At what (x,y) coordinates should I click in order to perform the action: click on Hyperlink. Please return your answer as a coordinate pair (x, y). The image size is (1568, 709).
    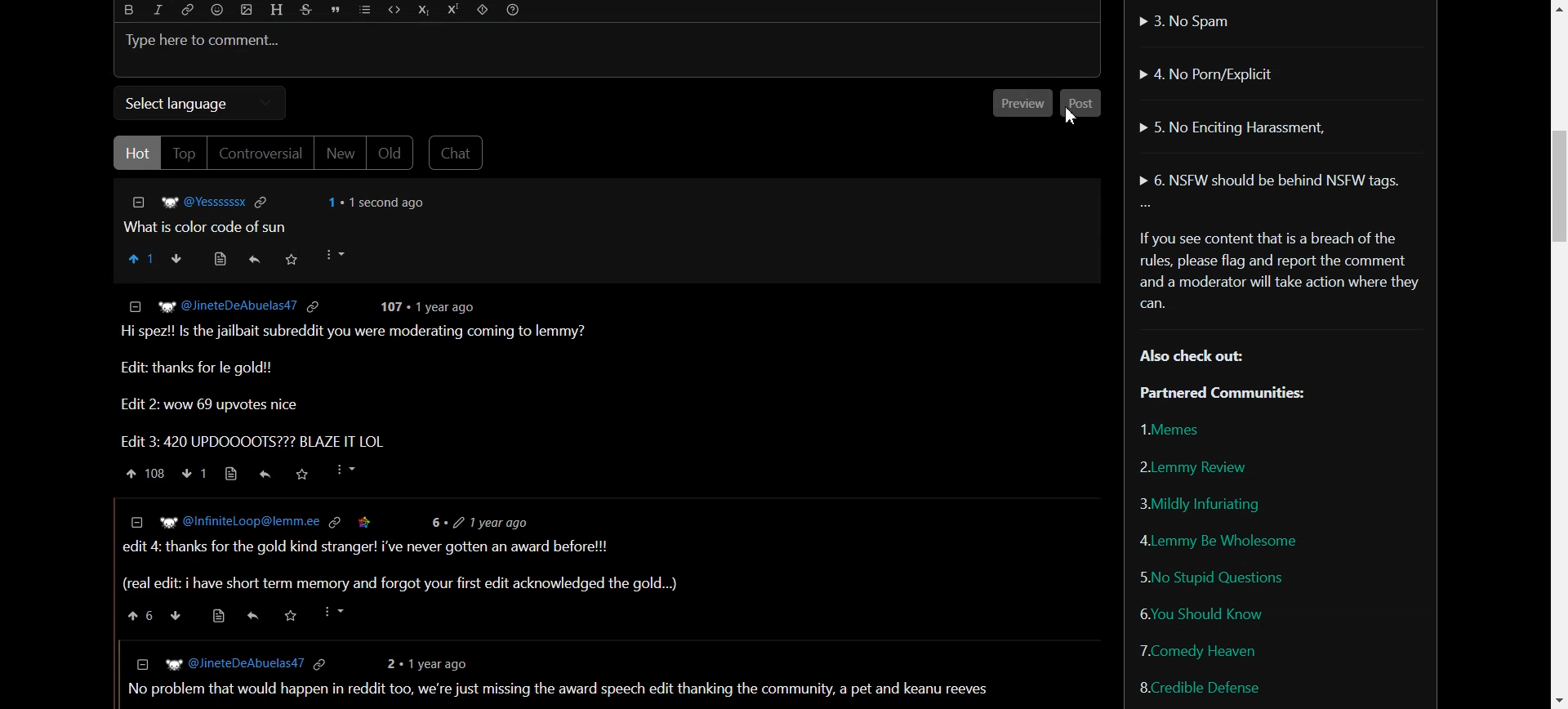
    Looking at the image, I should click on (189, 10).